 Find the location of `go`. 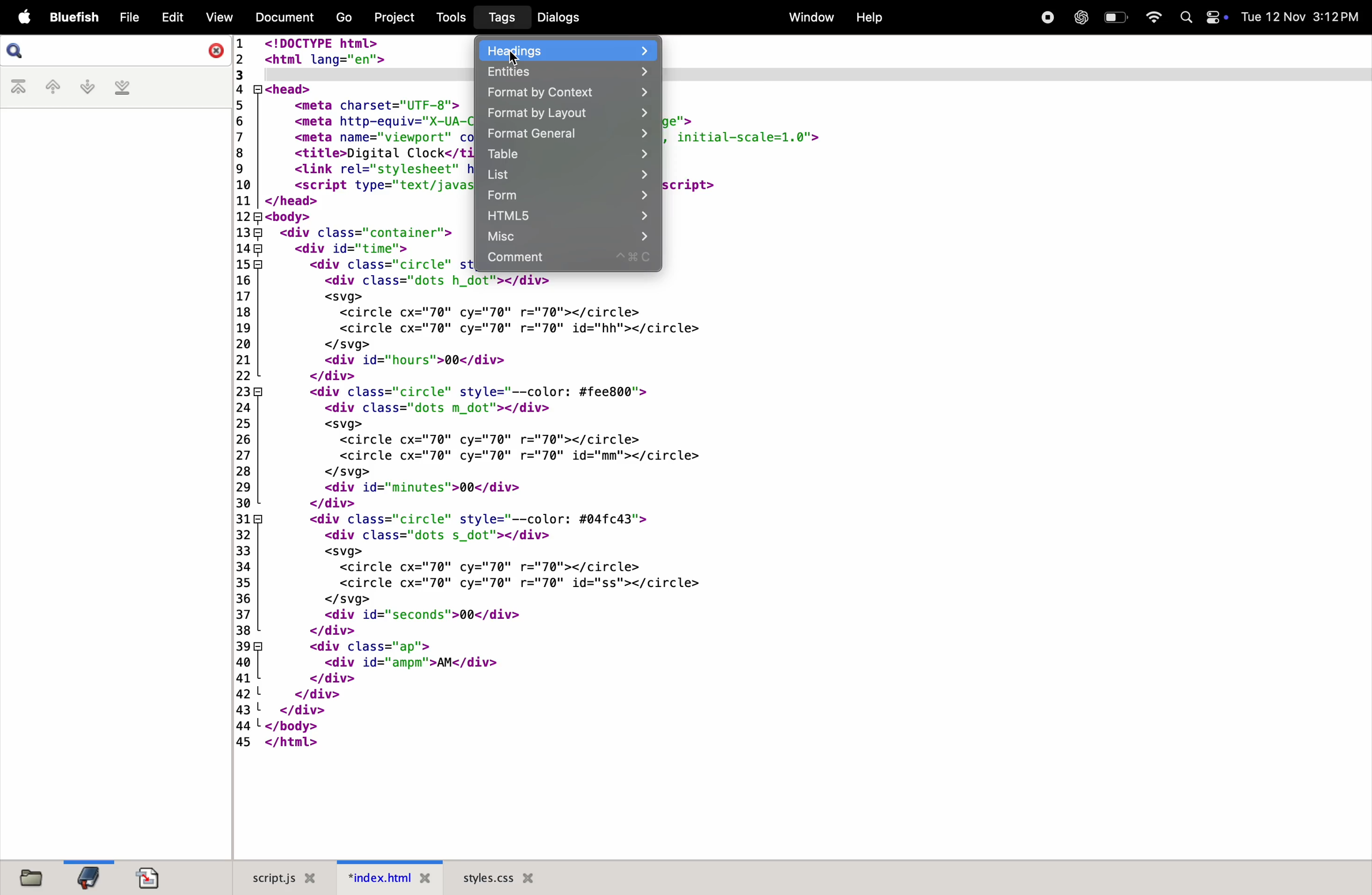

go is located at coordinates (342, 18).